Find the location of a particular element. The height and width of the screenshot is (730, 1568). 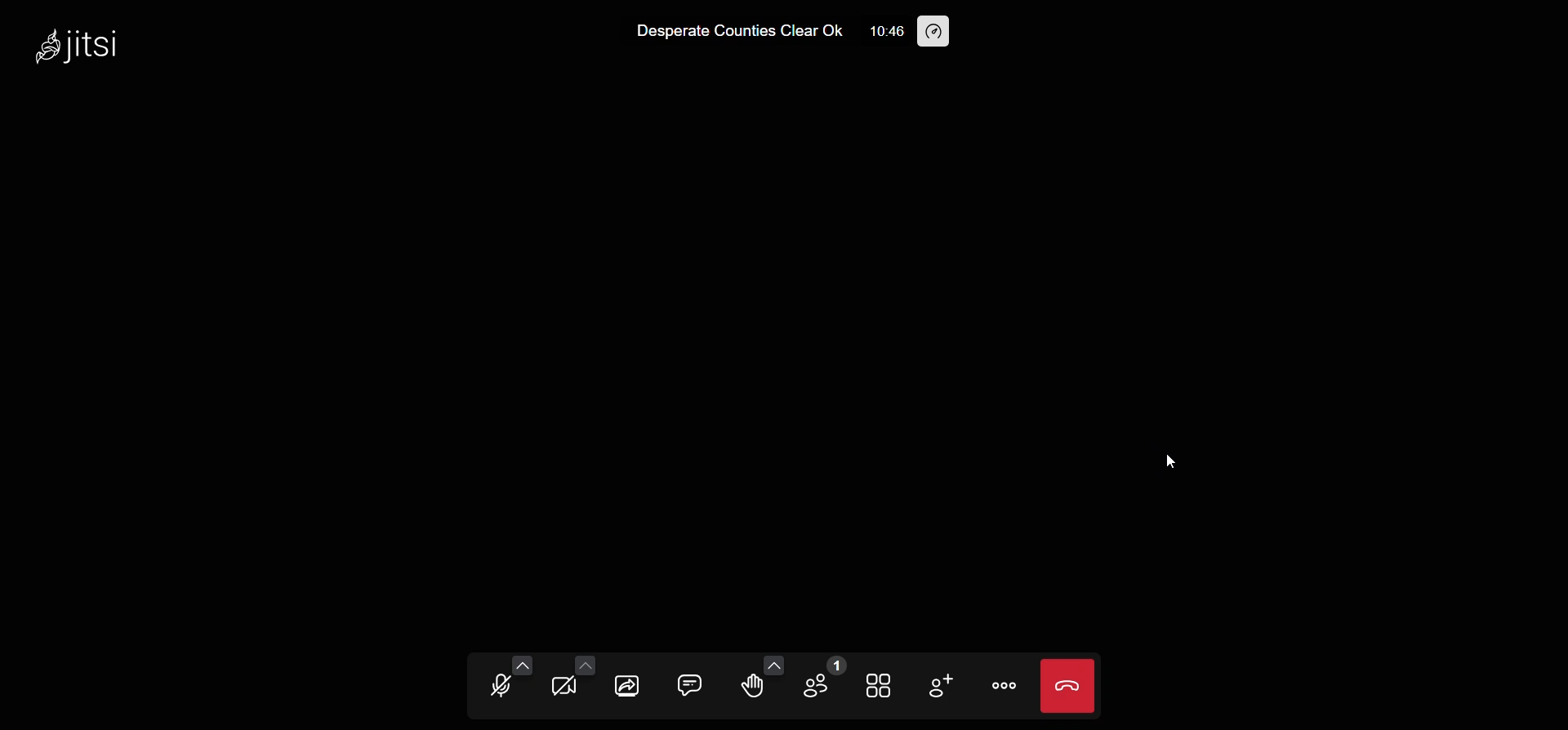

more video option is located at coordinates (587, 659).